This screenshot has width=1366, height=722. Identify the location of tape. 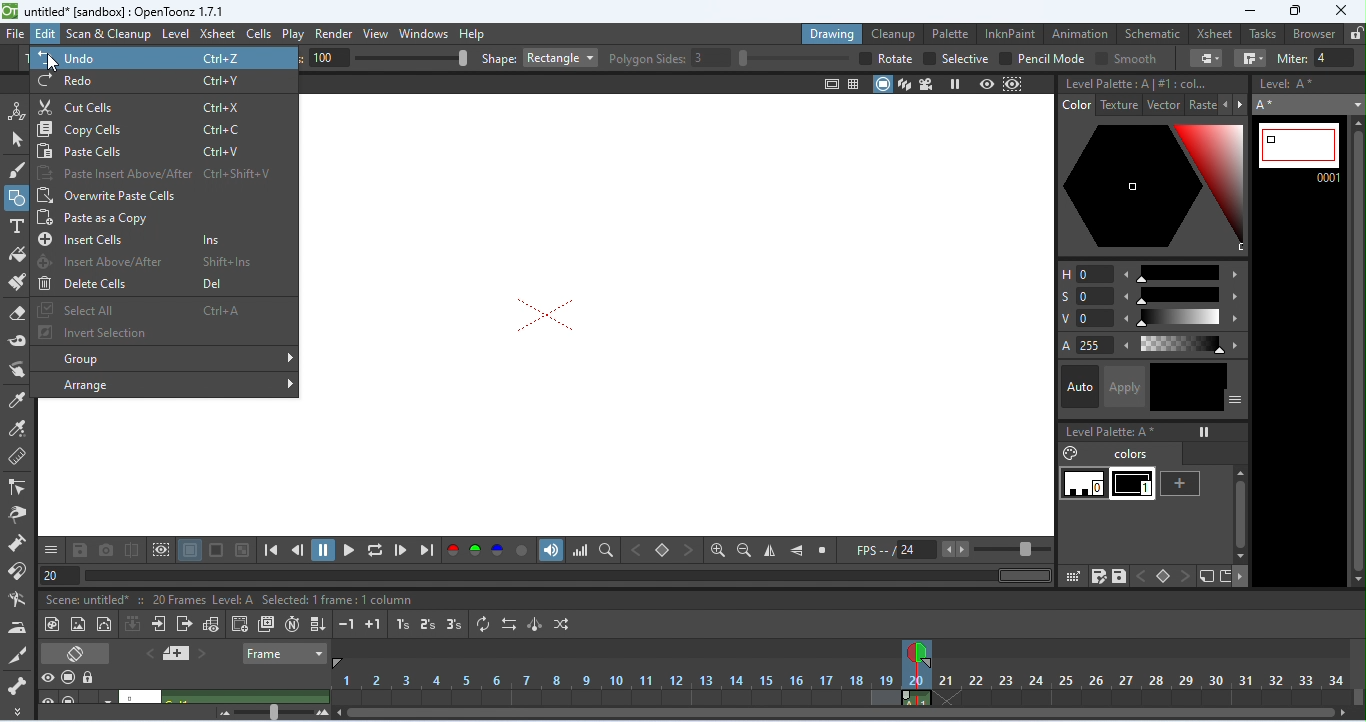
(16, 337).